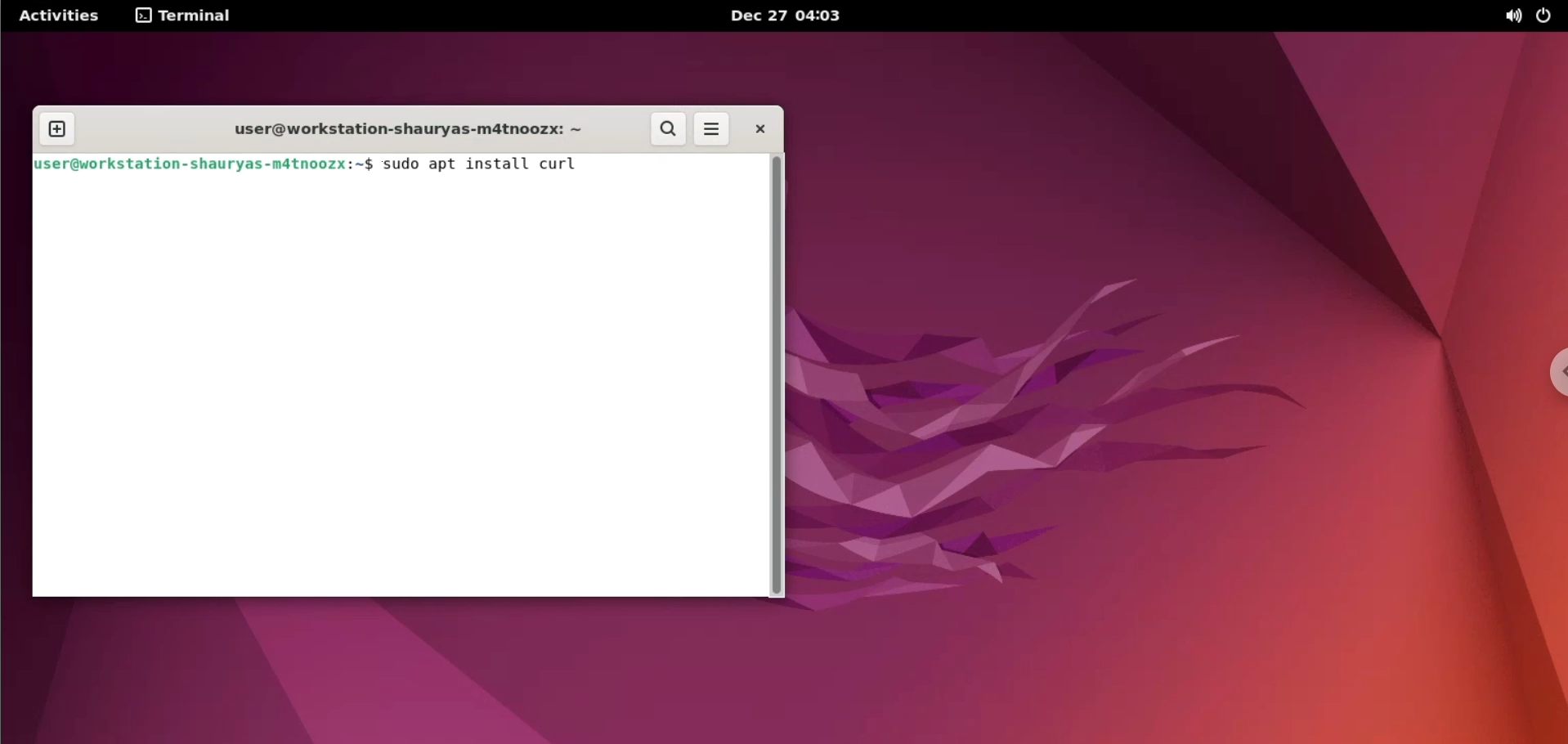  I want to click on close, so click(759, 128).